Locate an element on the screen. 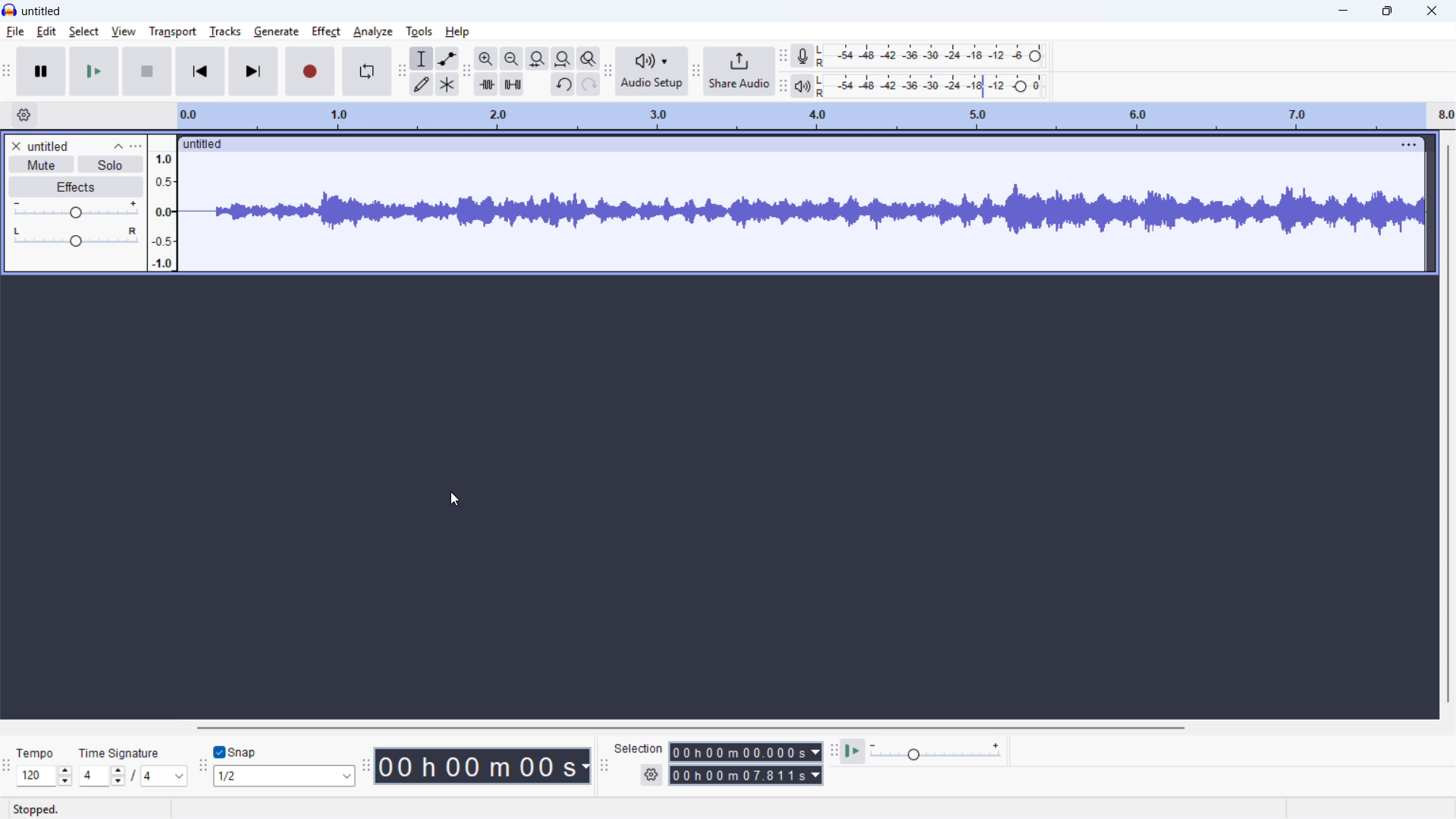  file is located at coordinates (15, 32).